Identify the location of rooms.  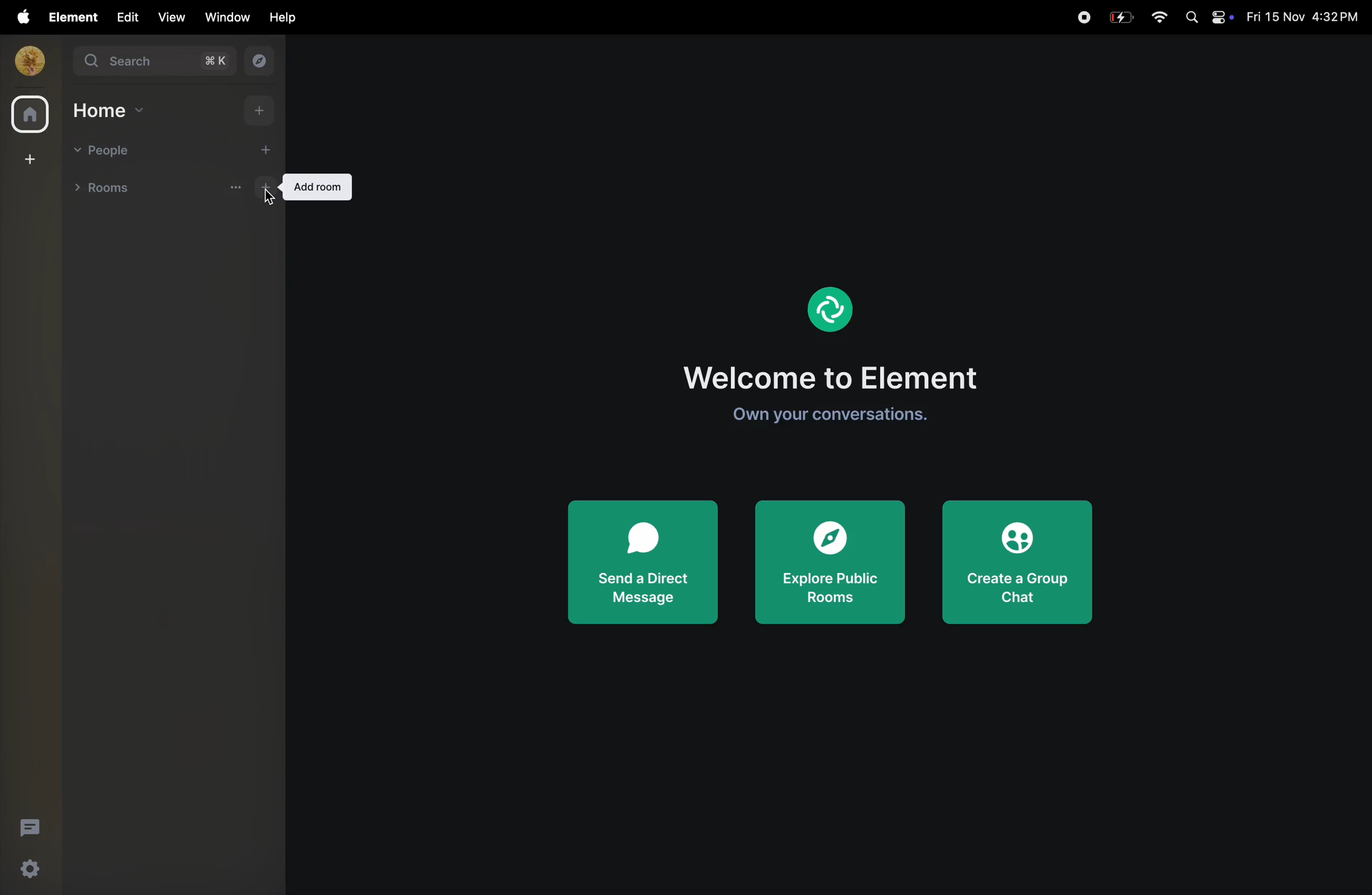
(114, 190).